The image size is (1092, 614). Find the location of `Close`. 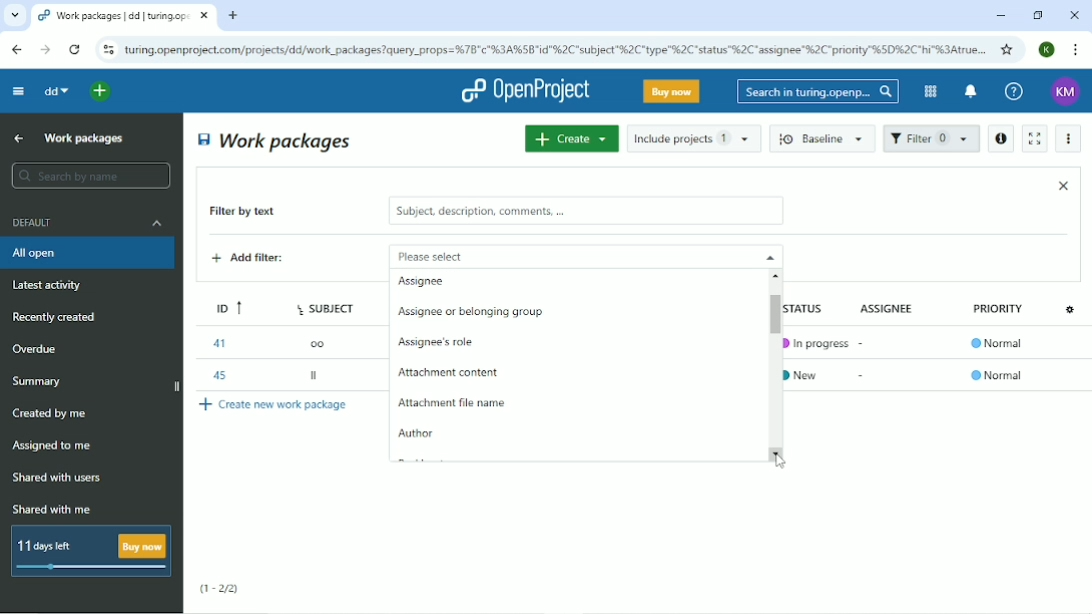

Close is located at coordinates (1074, 15).